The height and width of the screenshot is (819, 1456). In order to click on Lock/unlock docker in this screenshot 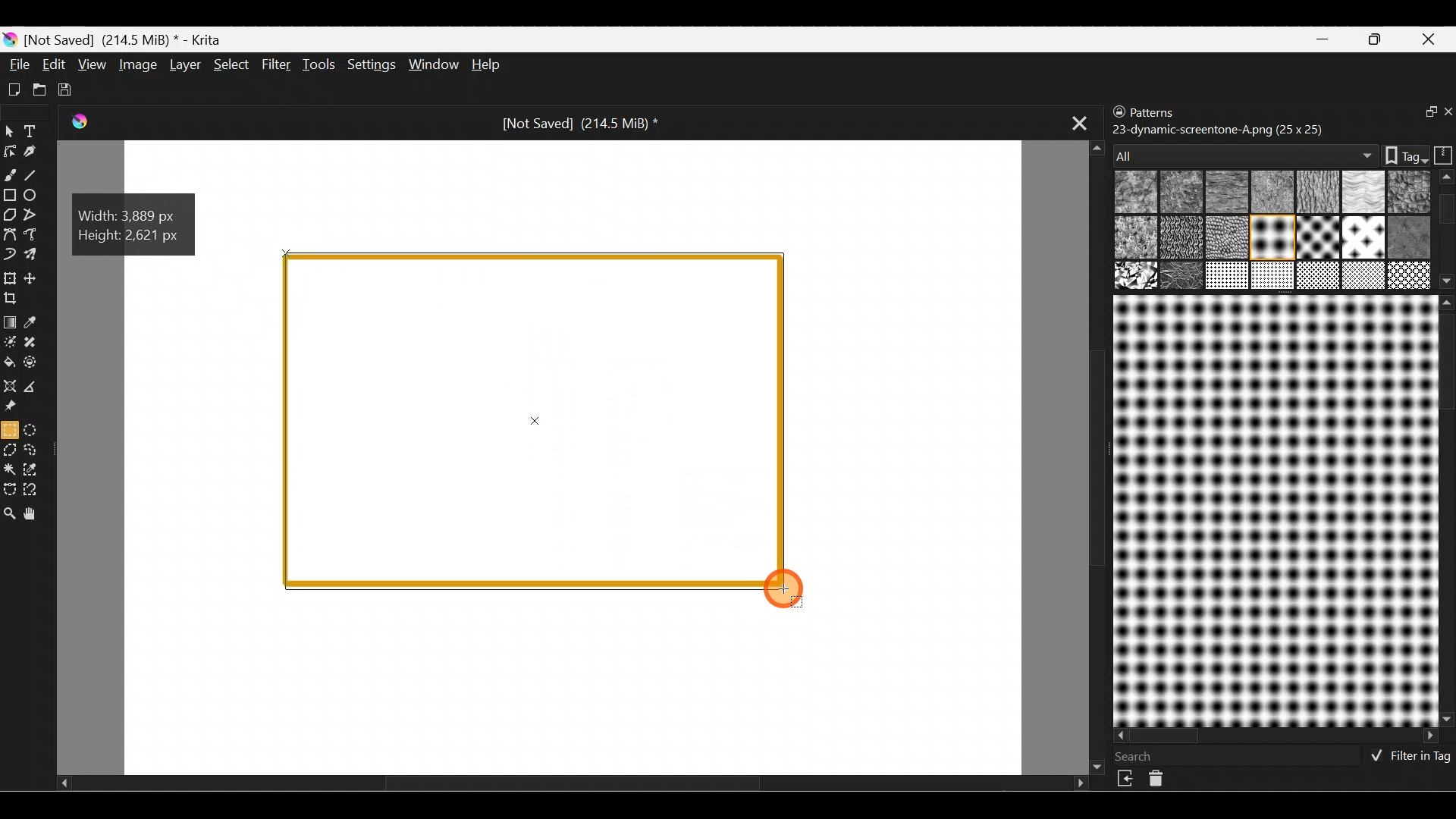, I will do `click(1116, 113)`.